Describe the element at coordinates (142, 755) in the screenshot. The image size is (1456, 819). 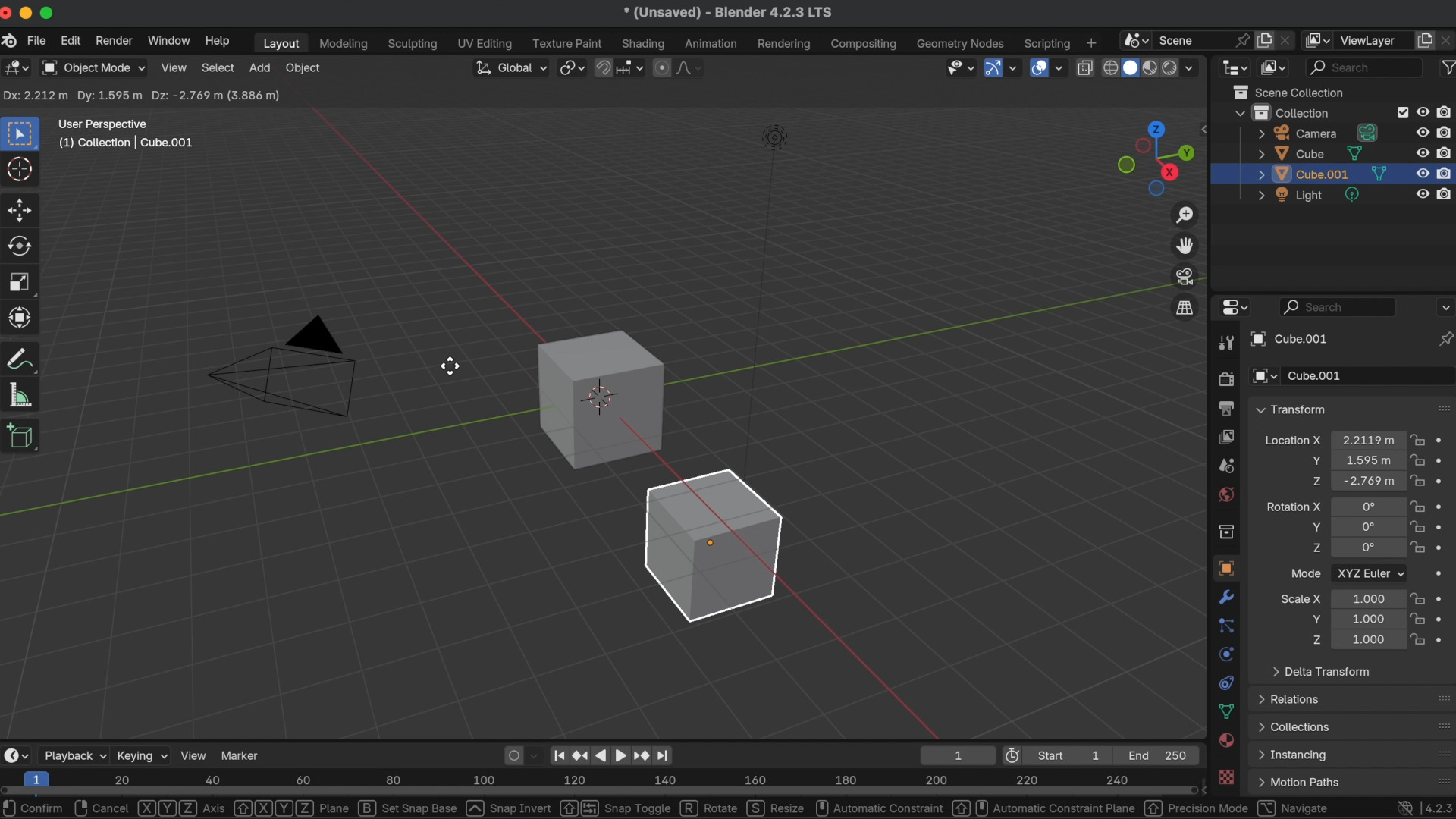
I see `keying` at that location.